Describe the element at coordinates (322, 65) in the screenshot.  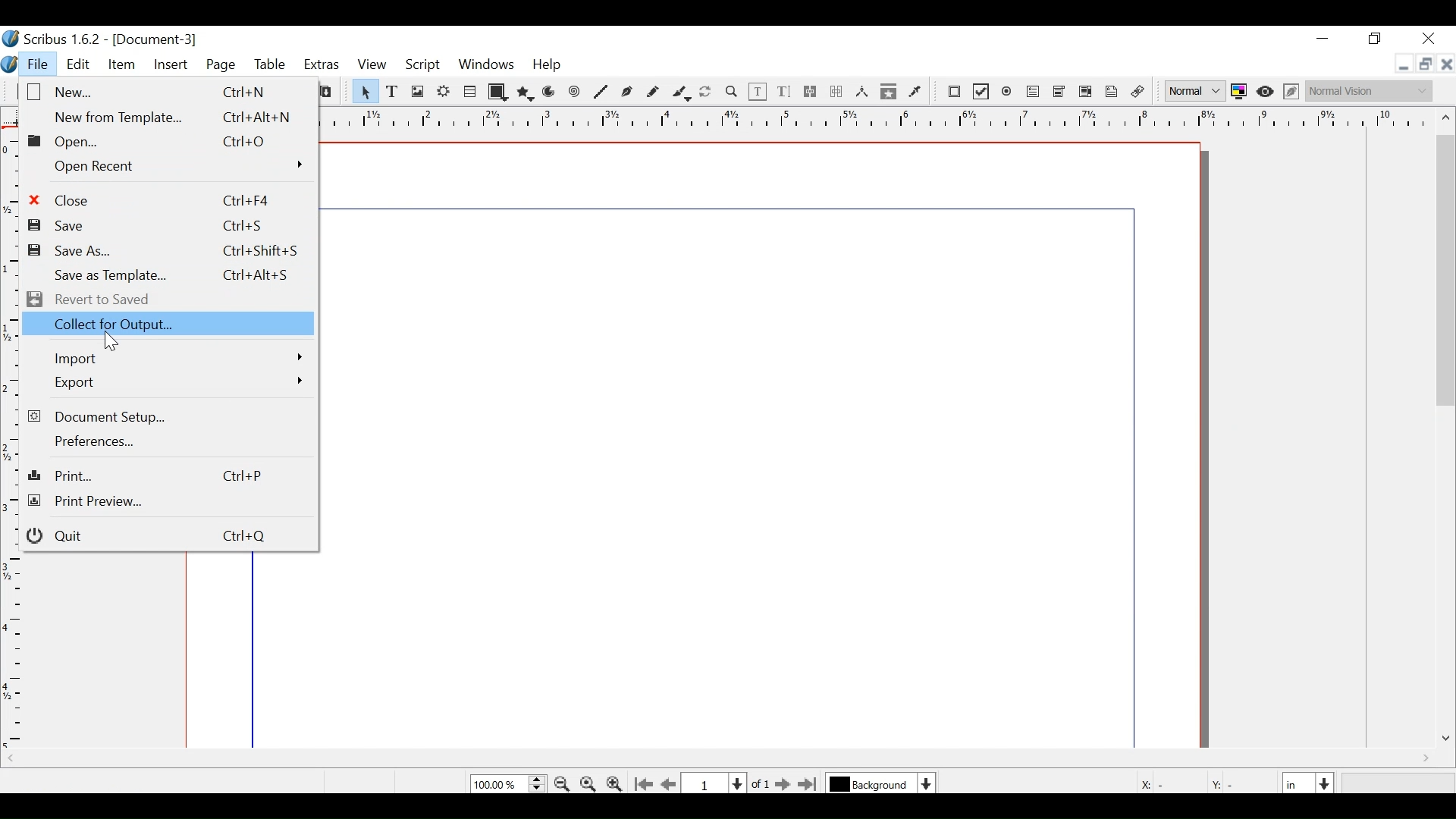
I see `Extras` at that location.